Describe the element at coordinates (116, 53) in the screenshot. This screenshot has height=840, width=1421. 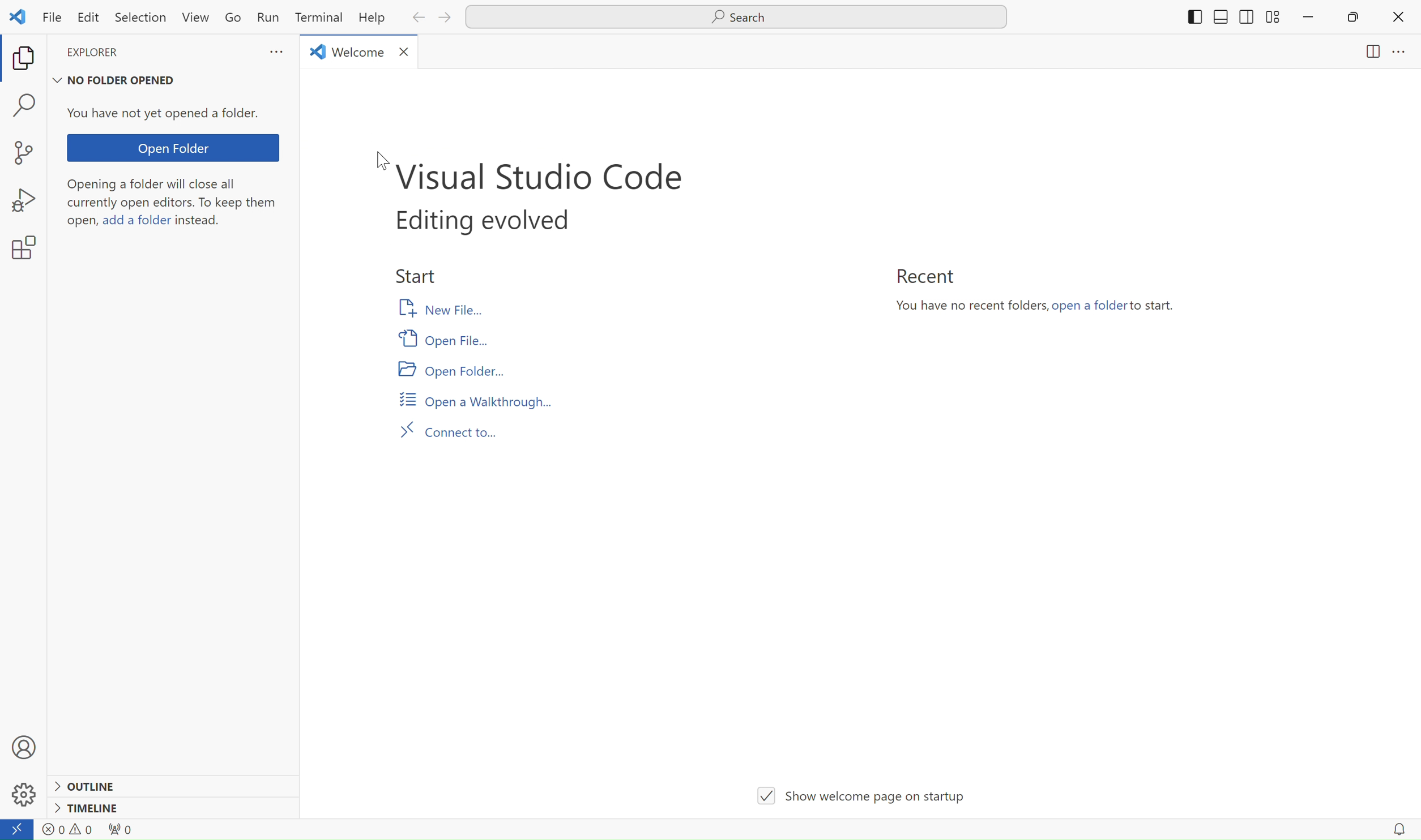
I see `explorer` at that location.